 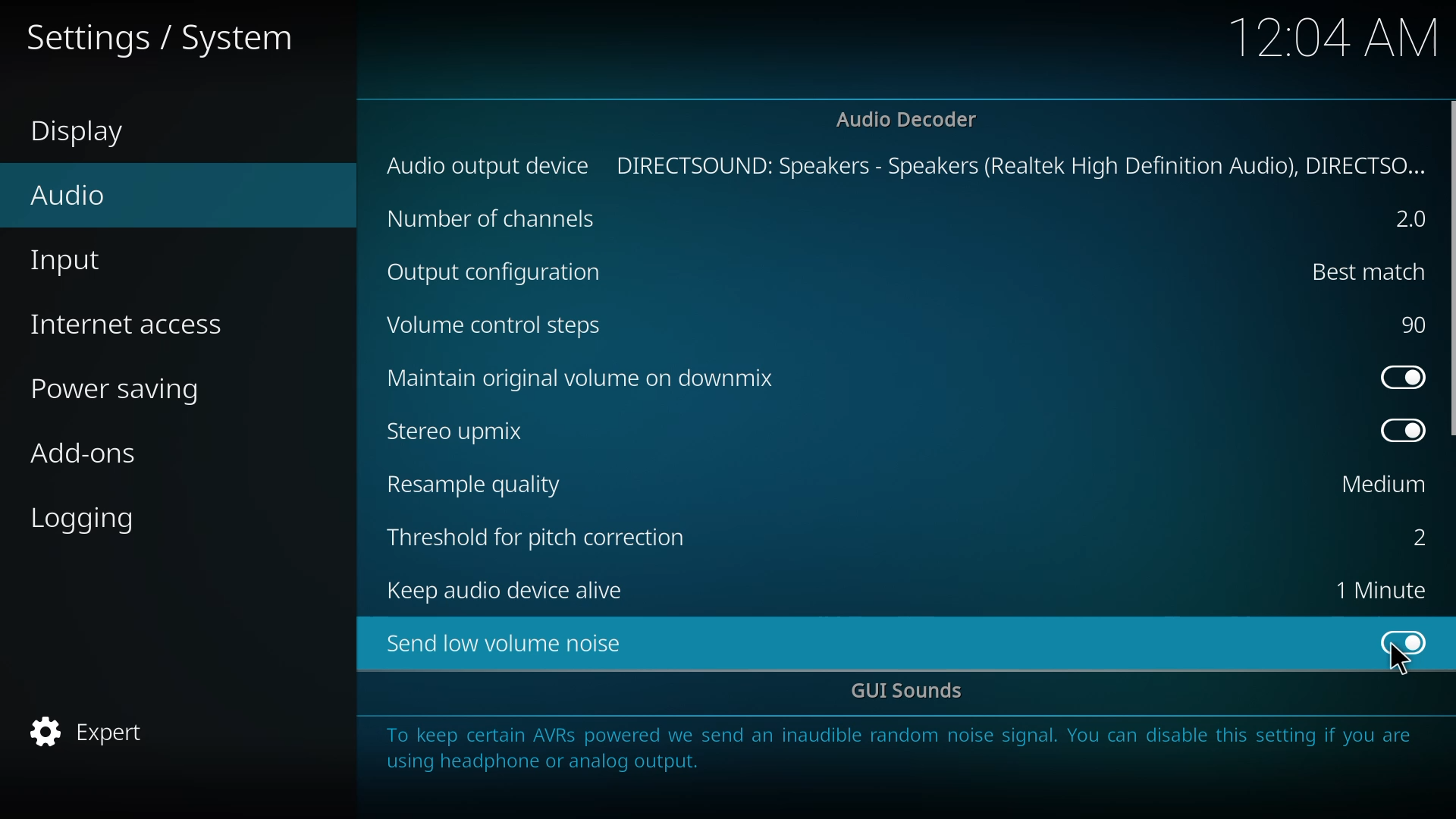 I want to click on best match, so click(x=1366, y=271).